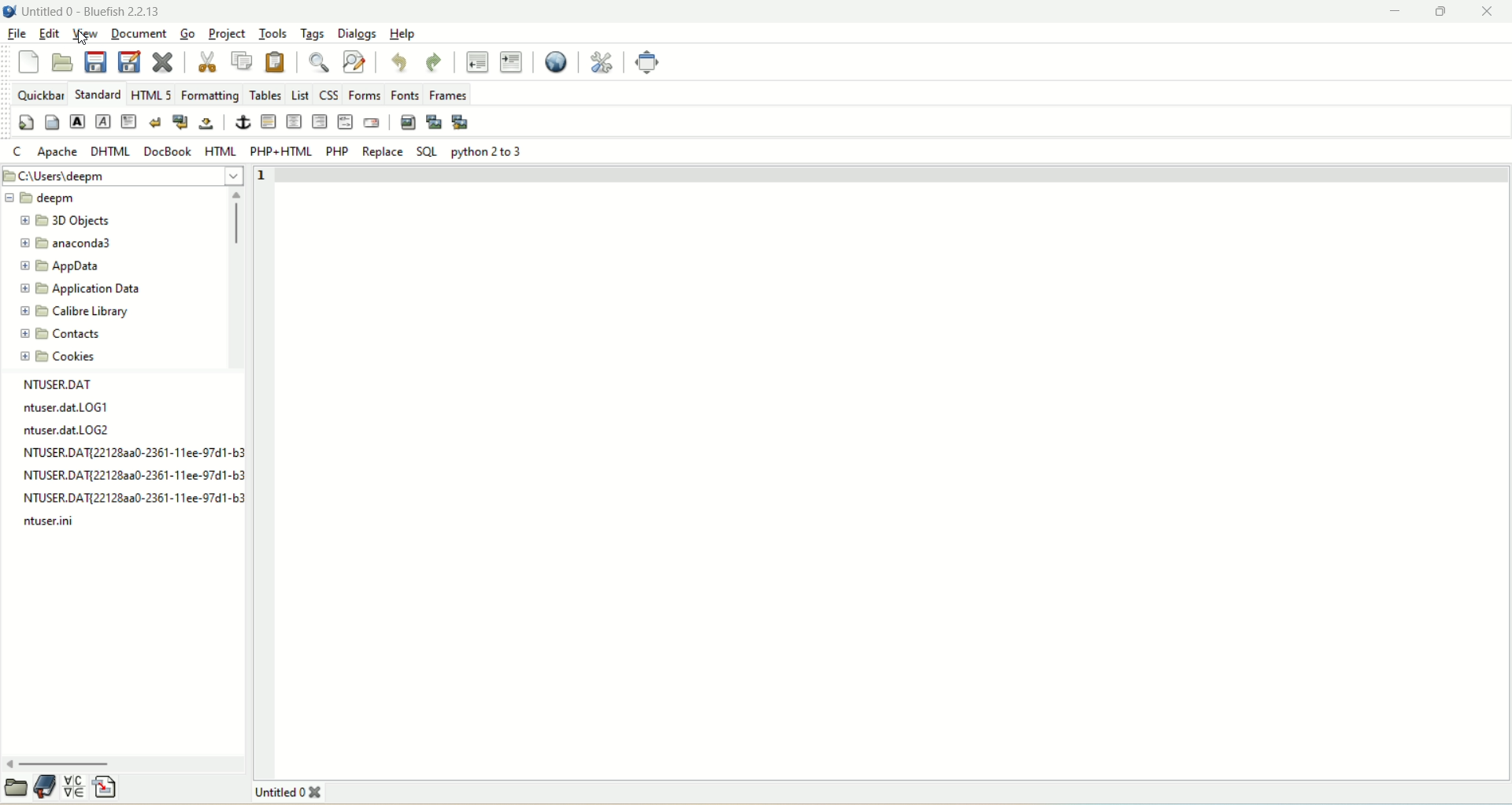  I want to click on edit references, so click(605, 63).